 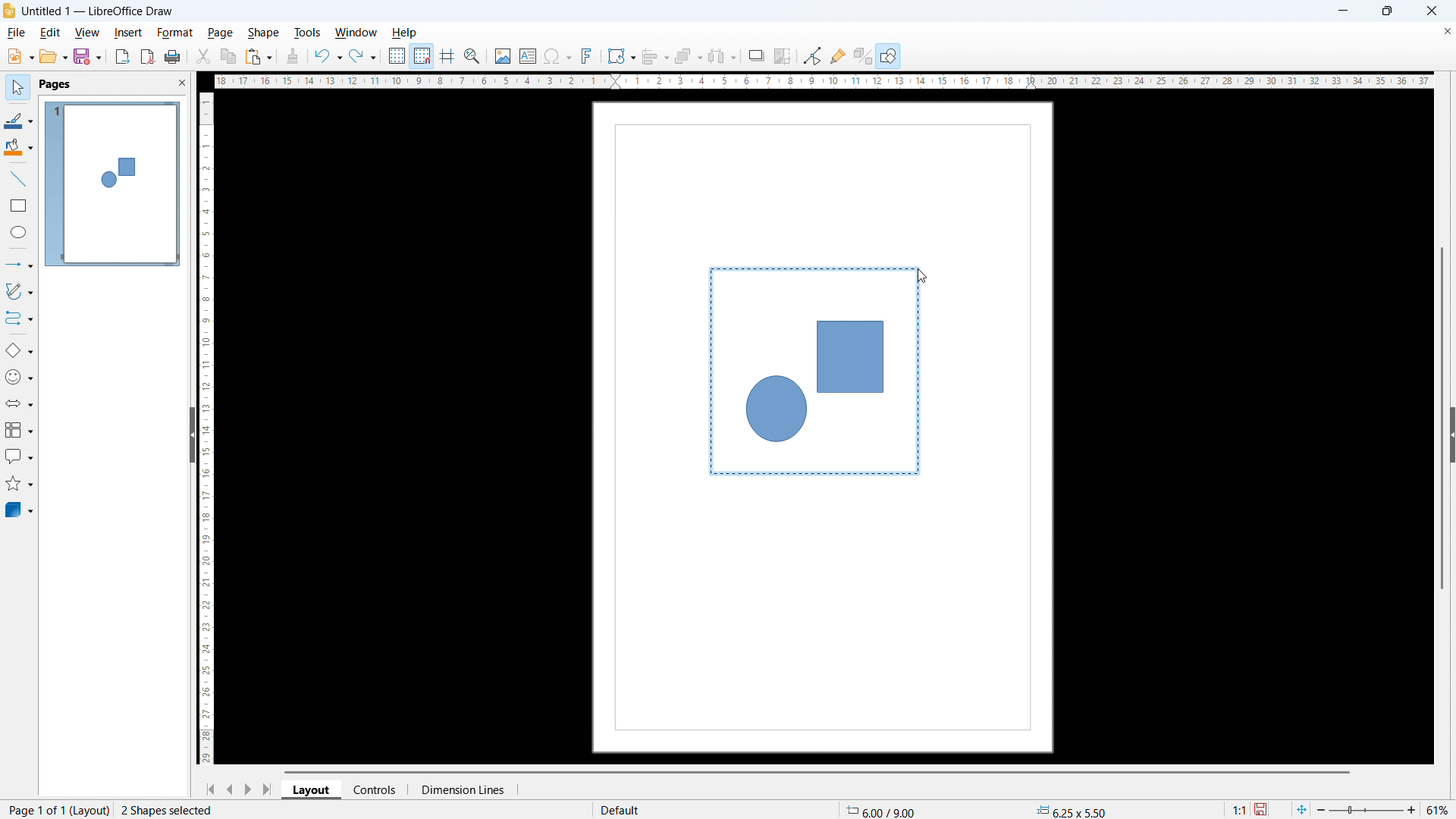 I want to click on help, so click(x=405, y=33).